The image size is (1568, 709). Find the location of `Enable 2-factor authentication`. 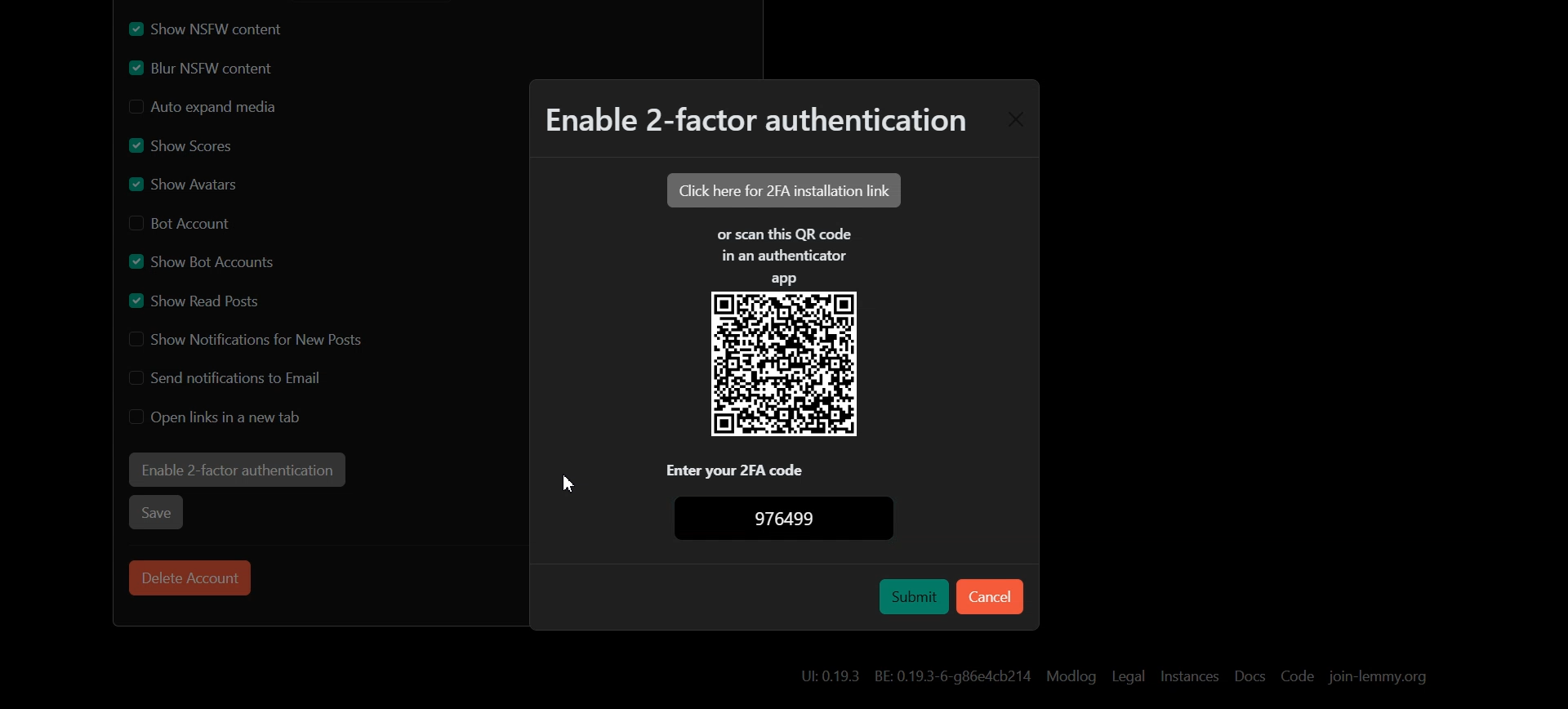

Enable 2-factor authentication is located at coordinates (236, 470).